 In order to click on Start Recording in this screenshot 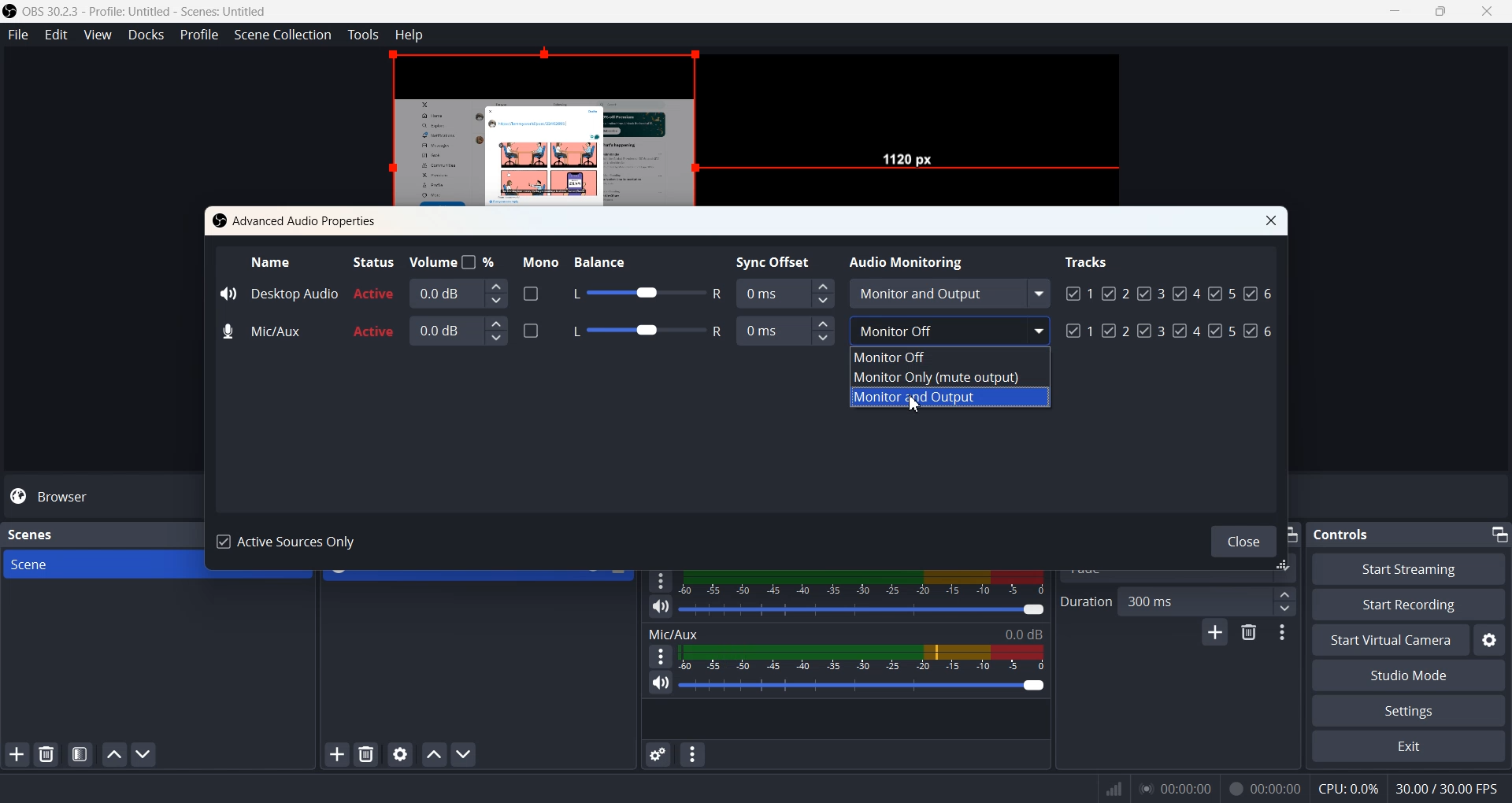, I will do `click(1408, 604)`.